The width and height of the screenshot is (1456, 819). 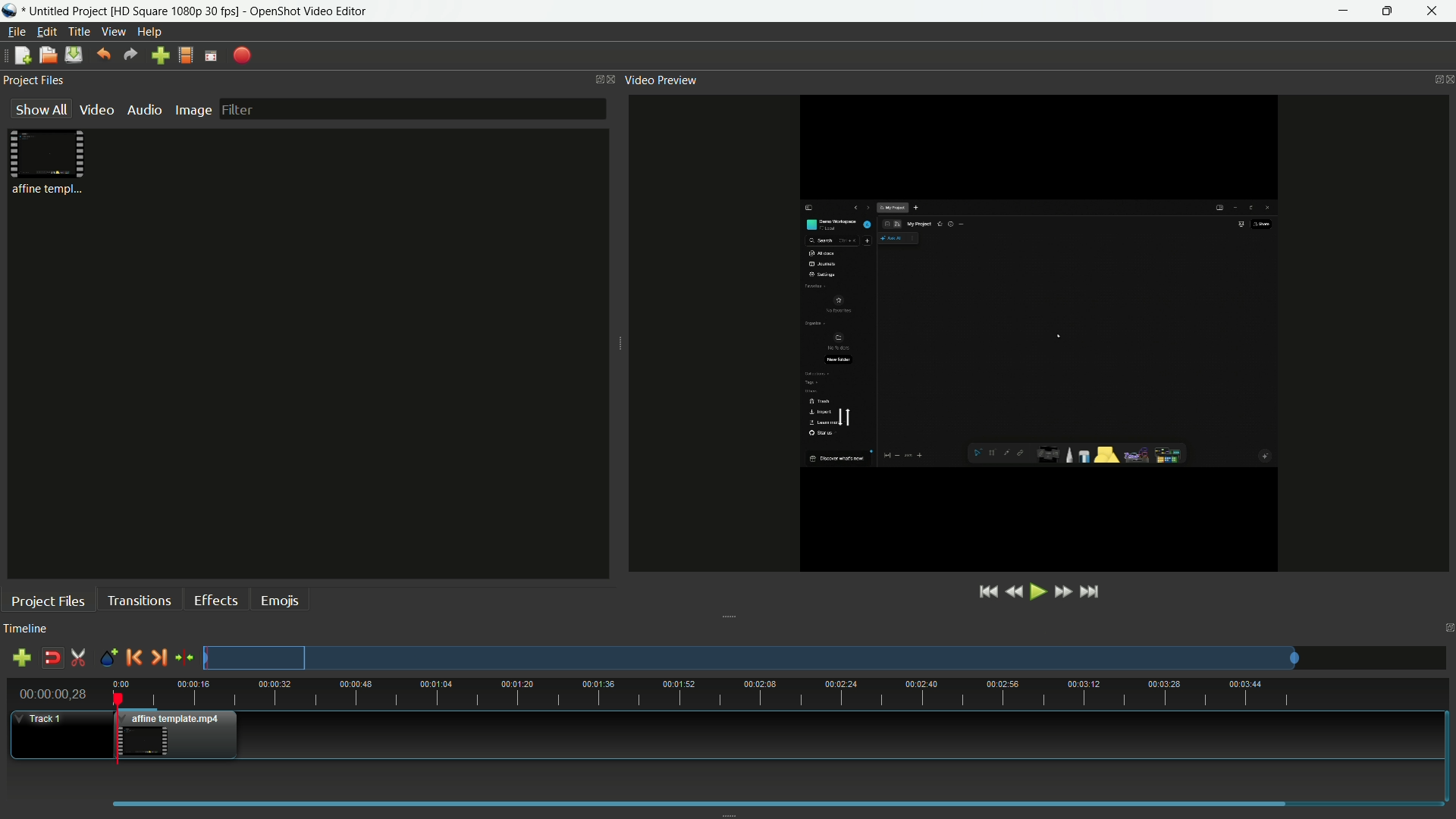 I want to click on close project files, so click(x=608, y=80).